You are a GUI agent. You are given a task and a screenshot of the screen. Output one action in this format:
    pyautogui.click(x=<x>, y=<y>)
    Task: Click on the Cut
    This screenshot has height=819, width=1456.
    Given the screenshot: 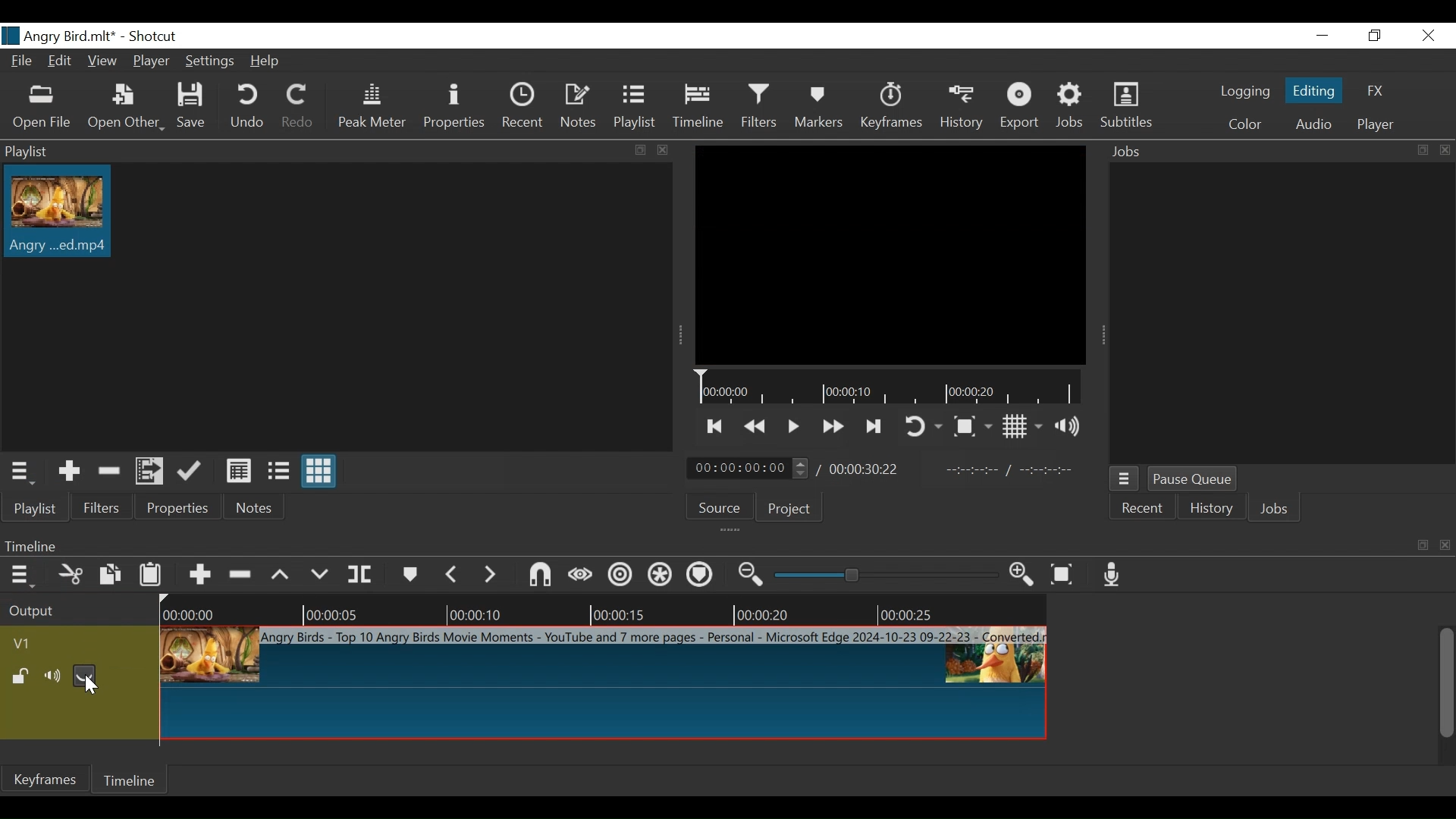 What is the action you would take?
    pyautogui.click(x=71, y=575)
    